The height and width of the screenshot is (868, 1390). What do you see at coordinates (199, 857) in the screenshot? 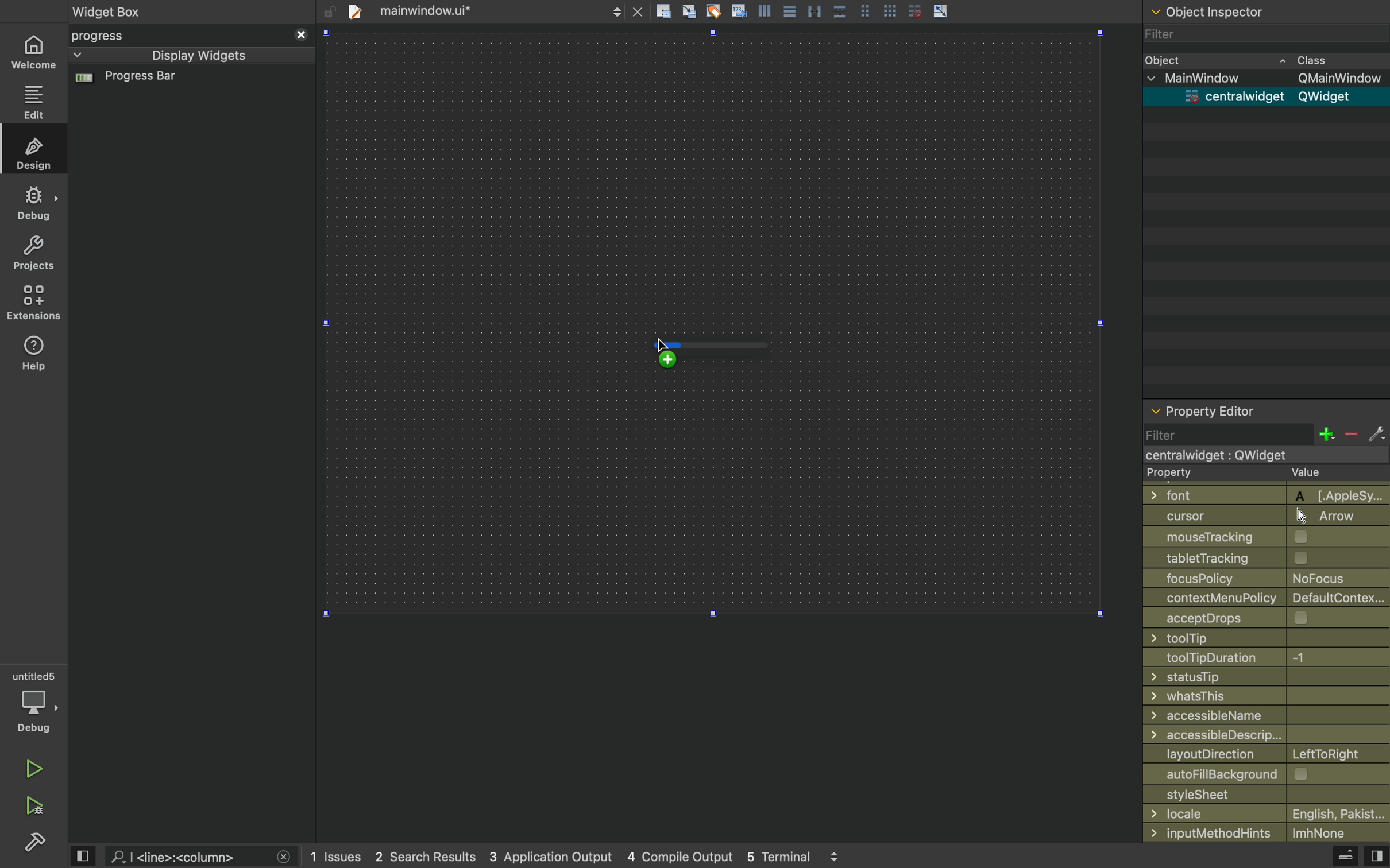
I see `search bar` at bounding box center [199, 857].